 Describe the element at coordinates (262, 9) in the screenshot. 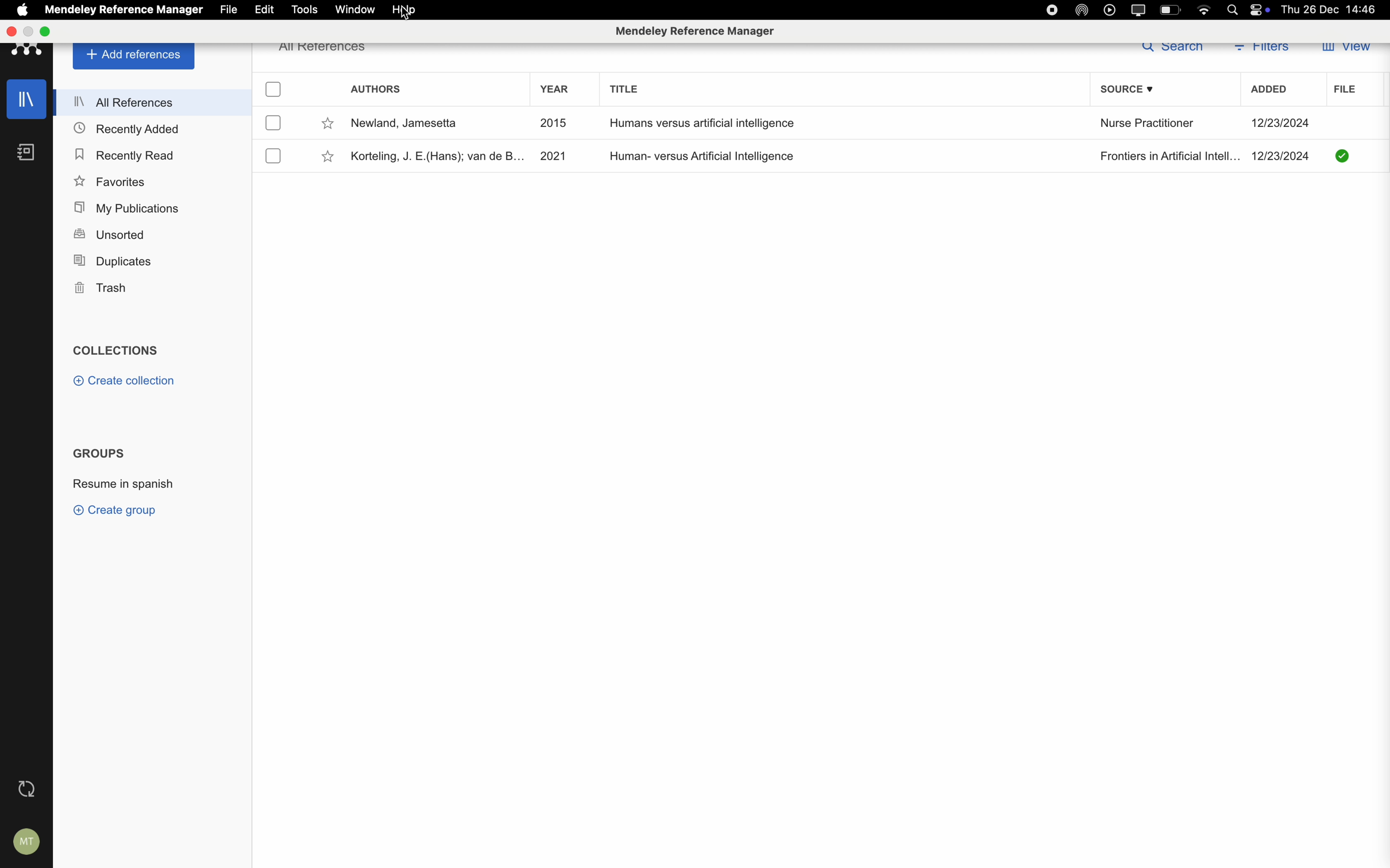

I see `edit` at that location.